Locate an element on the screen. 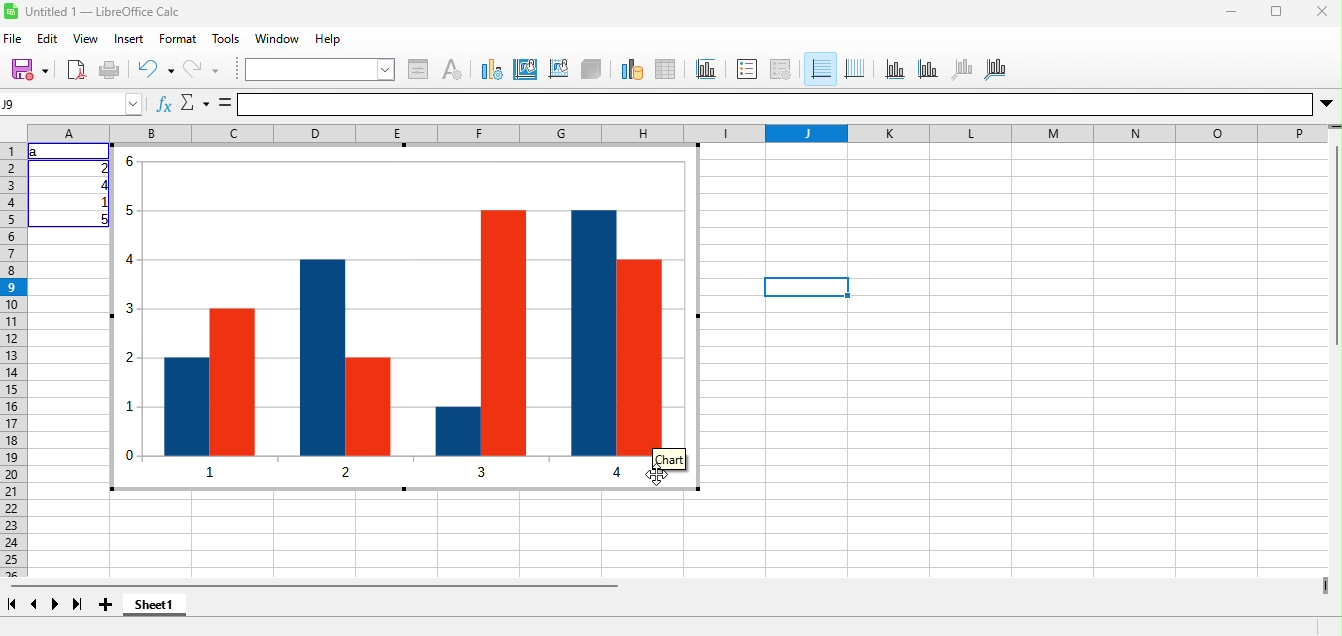  chart element is located at coordinates (320, 70).